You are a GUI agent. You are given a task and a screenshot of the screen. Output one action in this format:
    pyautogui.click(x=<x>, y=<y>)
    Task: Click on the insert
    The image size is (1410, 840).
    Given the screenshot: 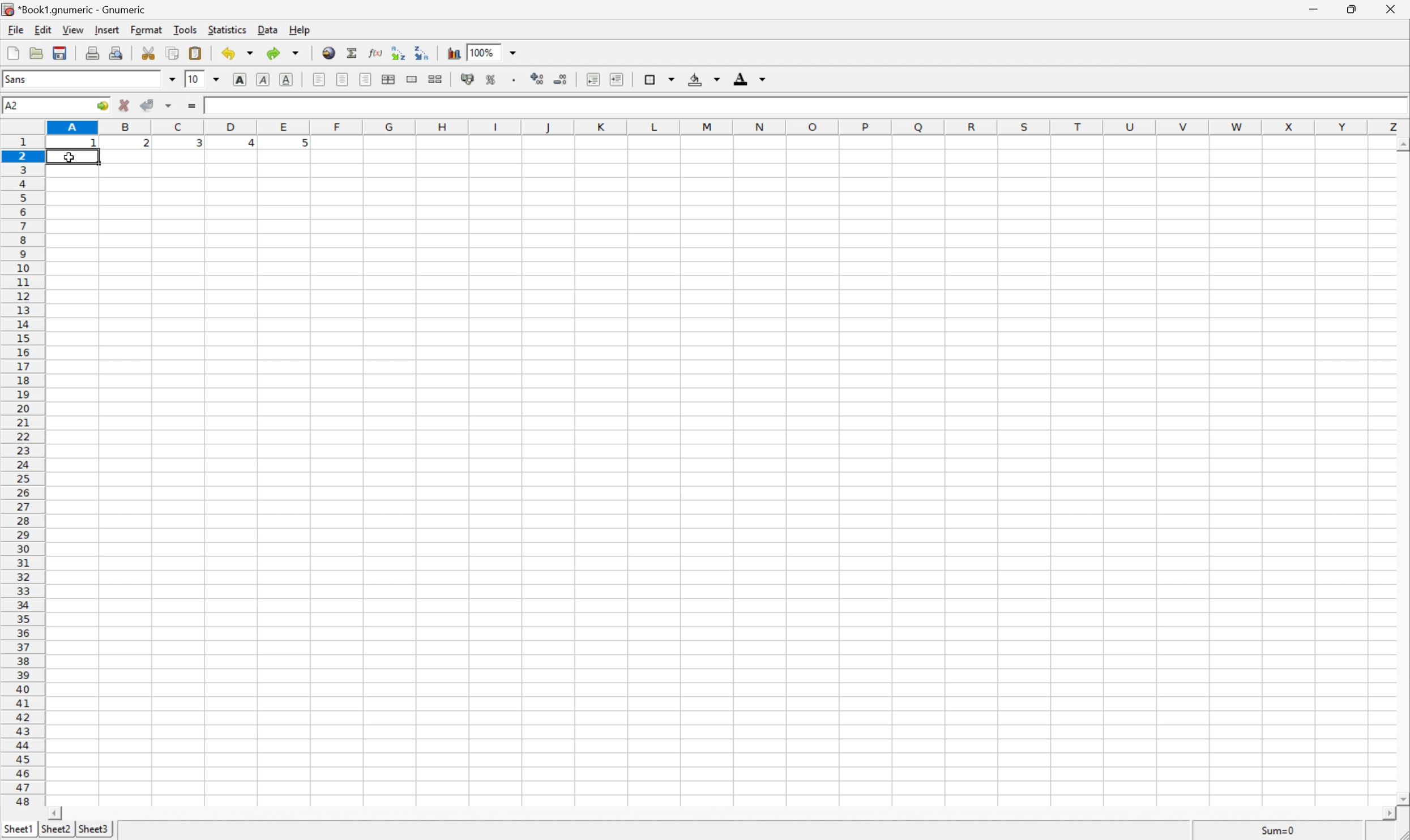 What is the action you would take?
    pyautogui.click(x=107, y=29)
    